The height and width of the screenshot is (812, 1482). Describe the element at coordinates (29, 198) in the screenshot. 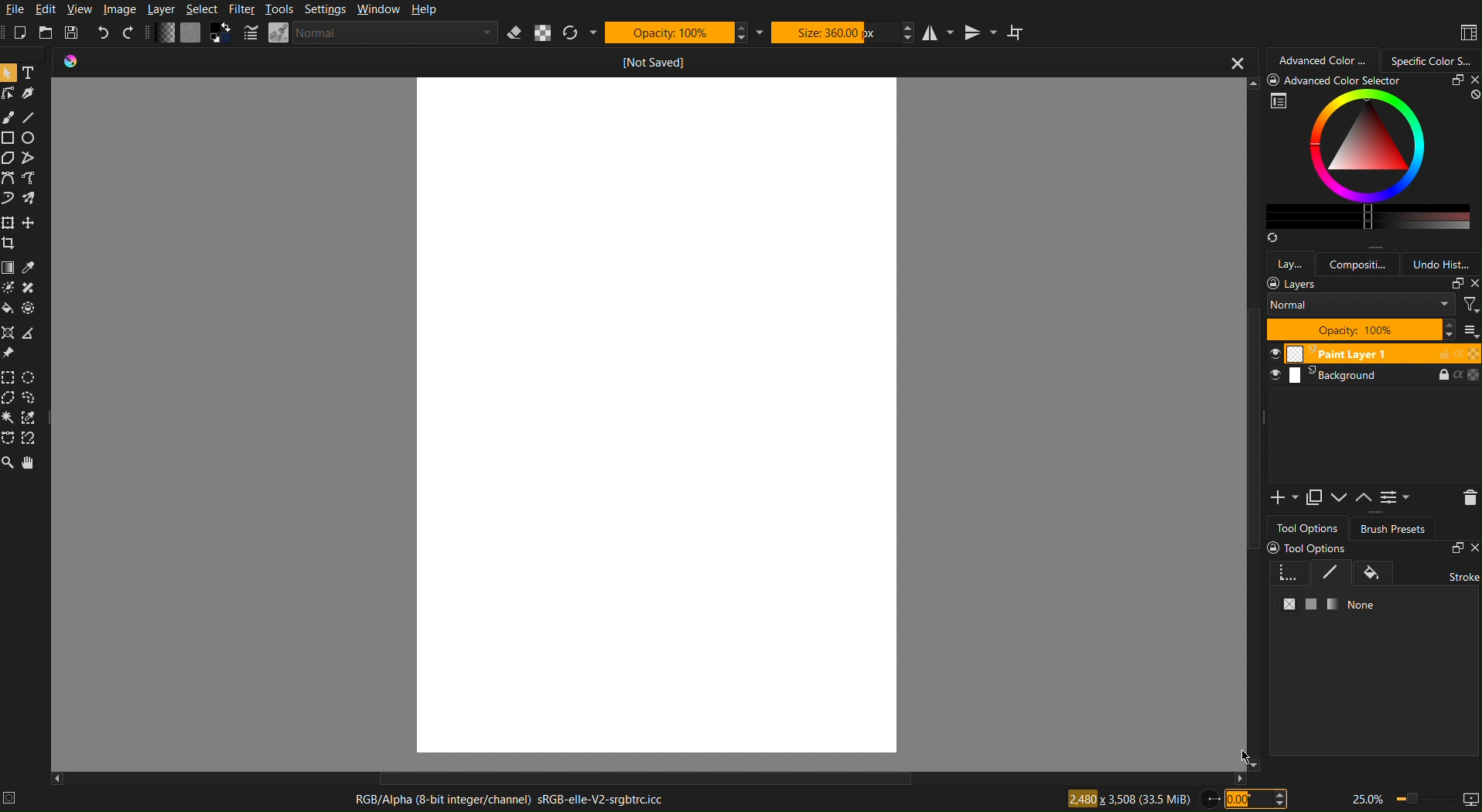

I see `Spray Brush Tool (Airbrush)` at that location.